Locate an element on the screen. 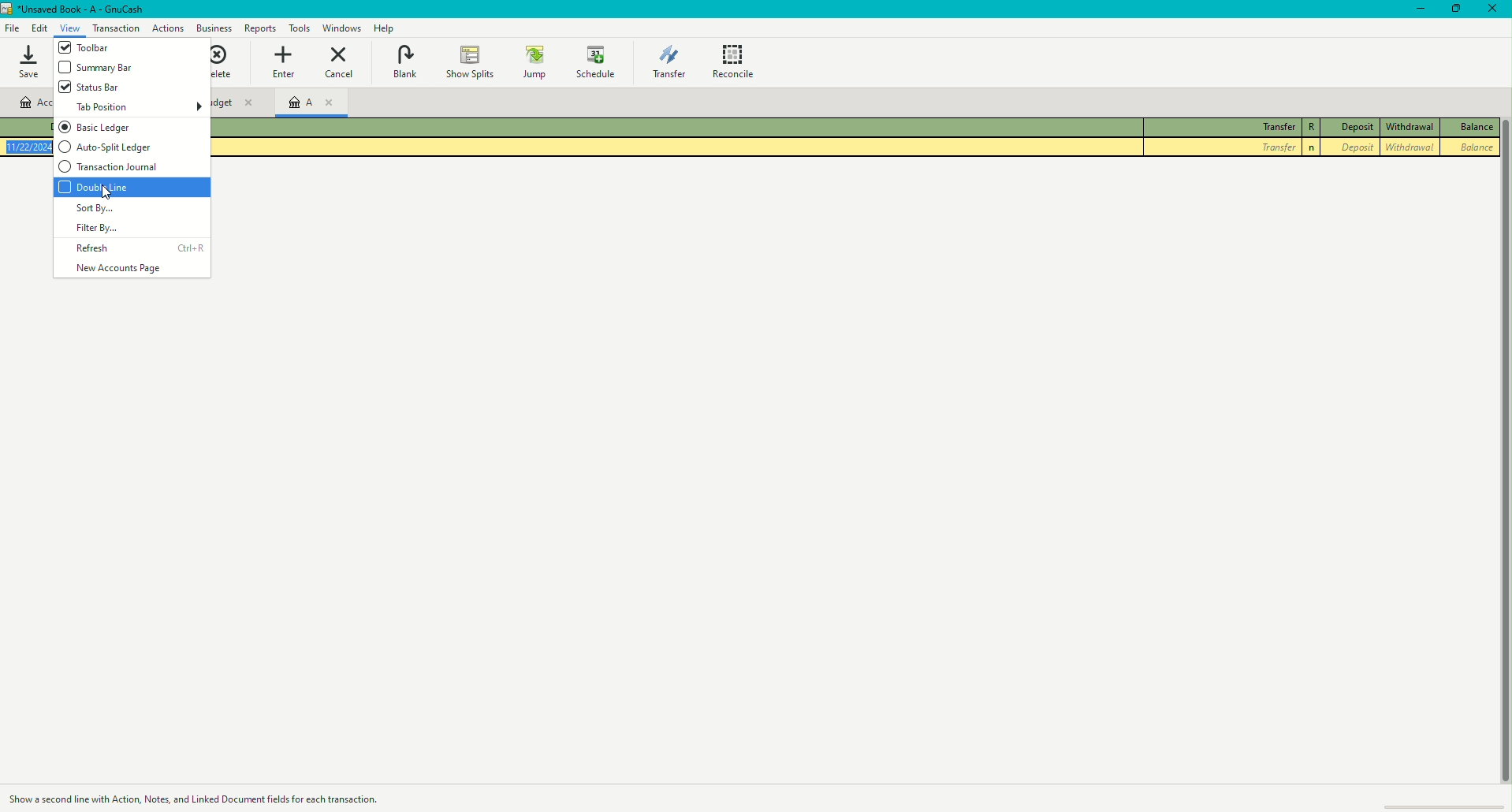 The height and width of the screenshot is (812, 1512). Delete is located at coordinates (238, 61).